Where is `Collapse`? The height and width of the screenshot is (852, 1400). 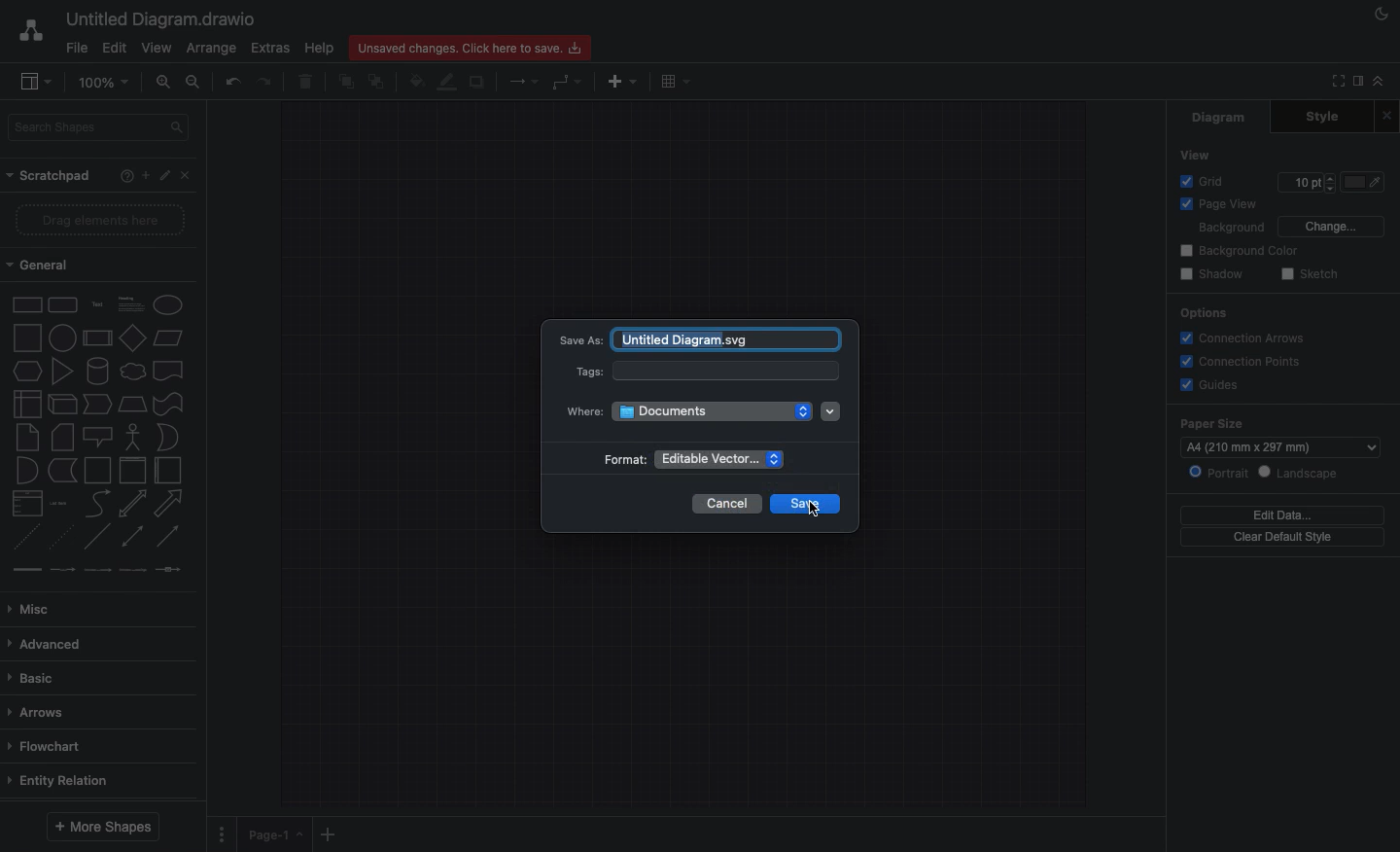 Collapse is located at coordinates (1379, 82).